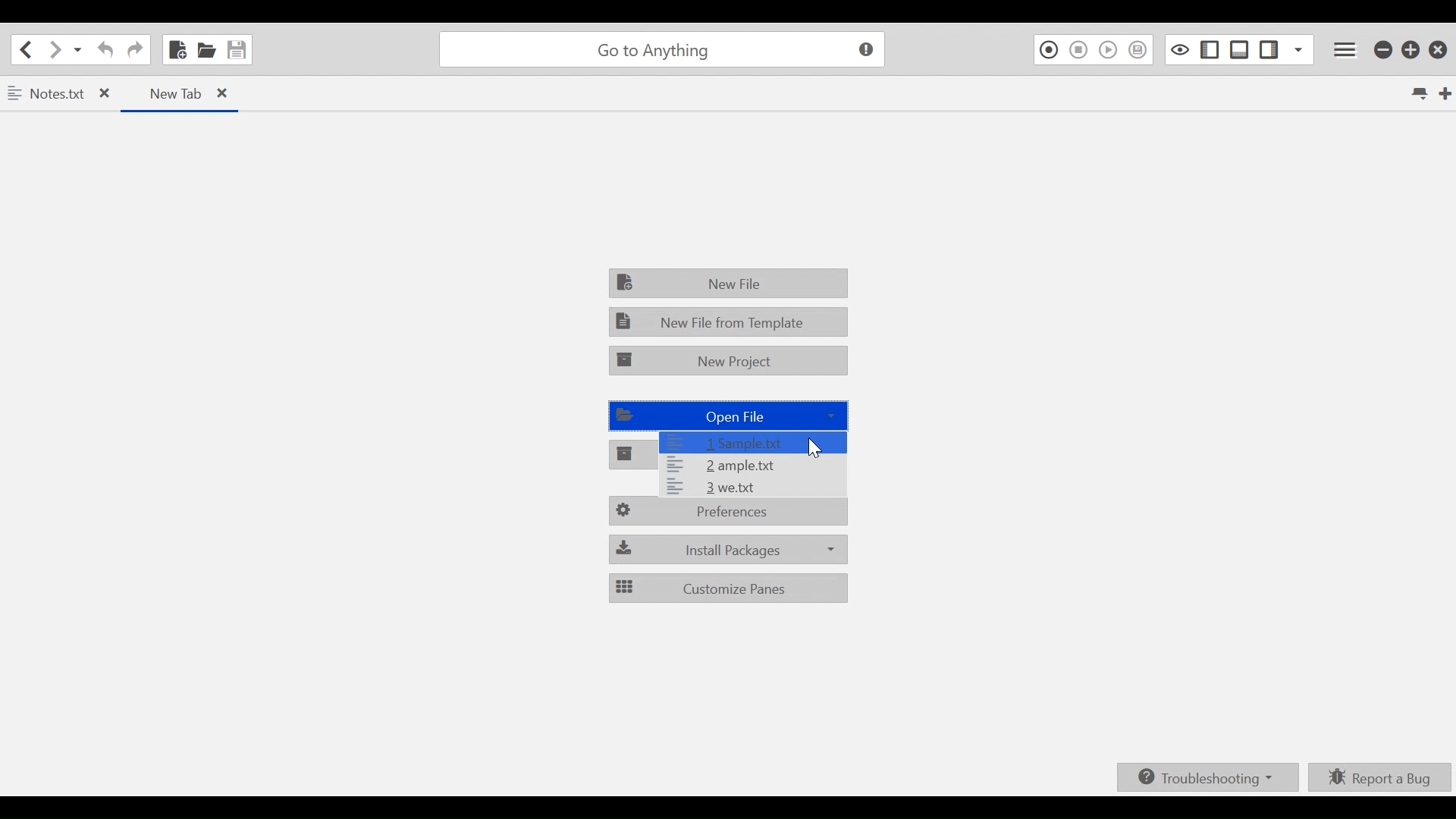 This screenshot has width=1456, height=819. I want to click on Show Specific Sidebar, so click(1299, 49).